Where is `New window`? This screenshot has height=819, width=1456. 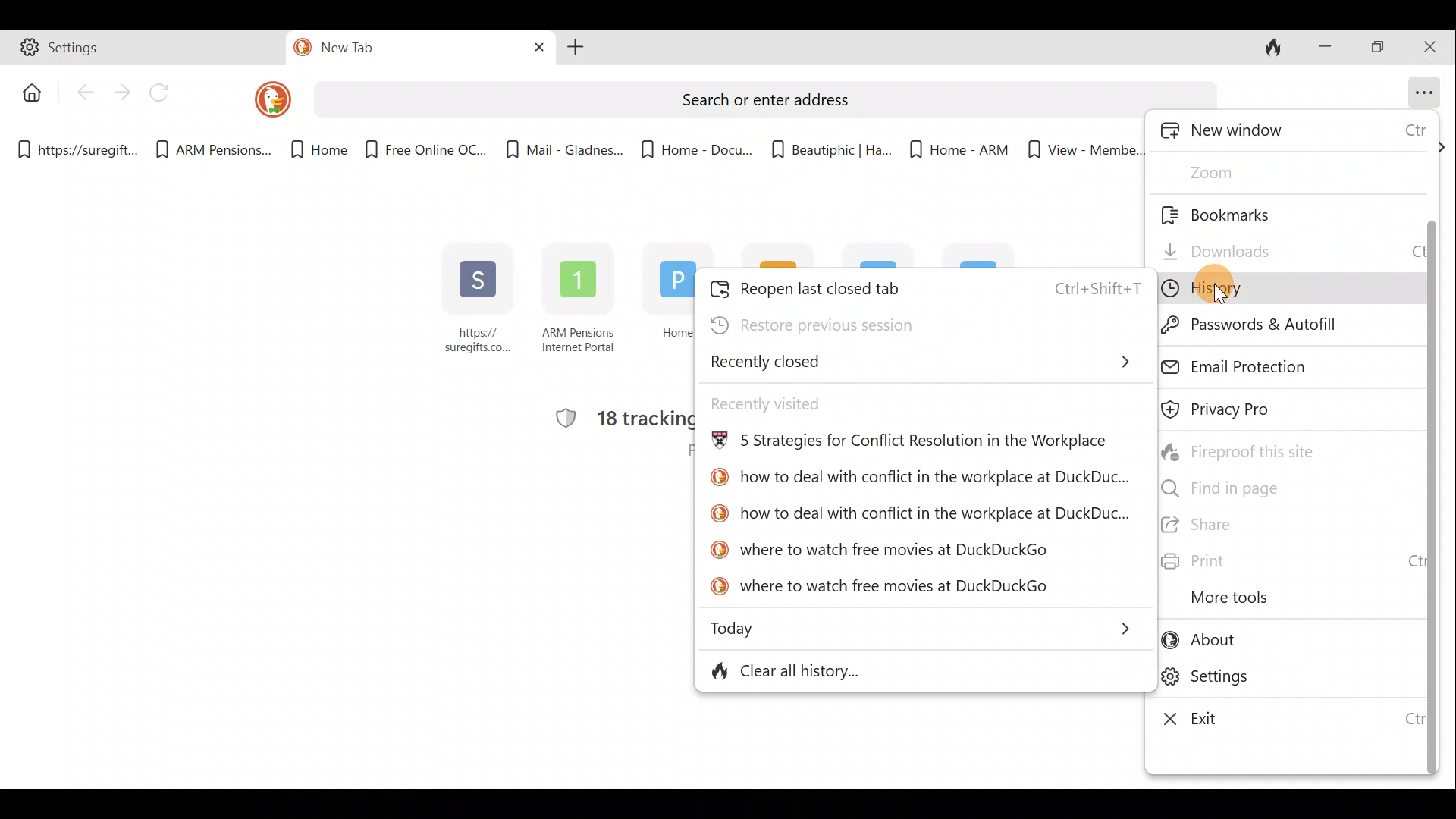 New window is located at coordinates (1294, 133).